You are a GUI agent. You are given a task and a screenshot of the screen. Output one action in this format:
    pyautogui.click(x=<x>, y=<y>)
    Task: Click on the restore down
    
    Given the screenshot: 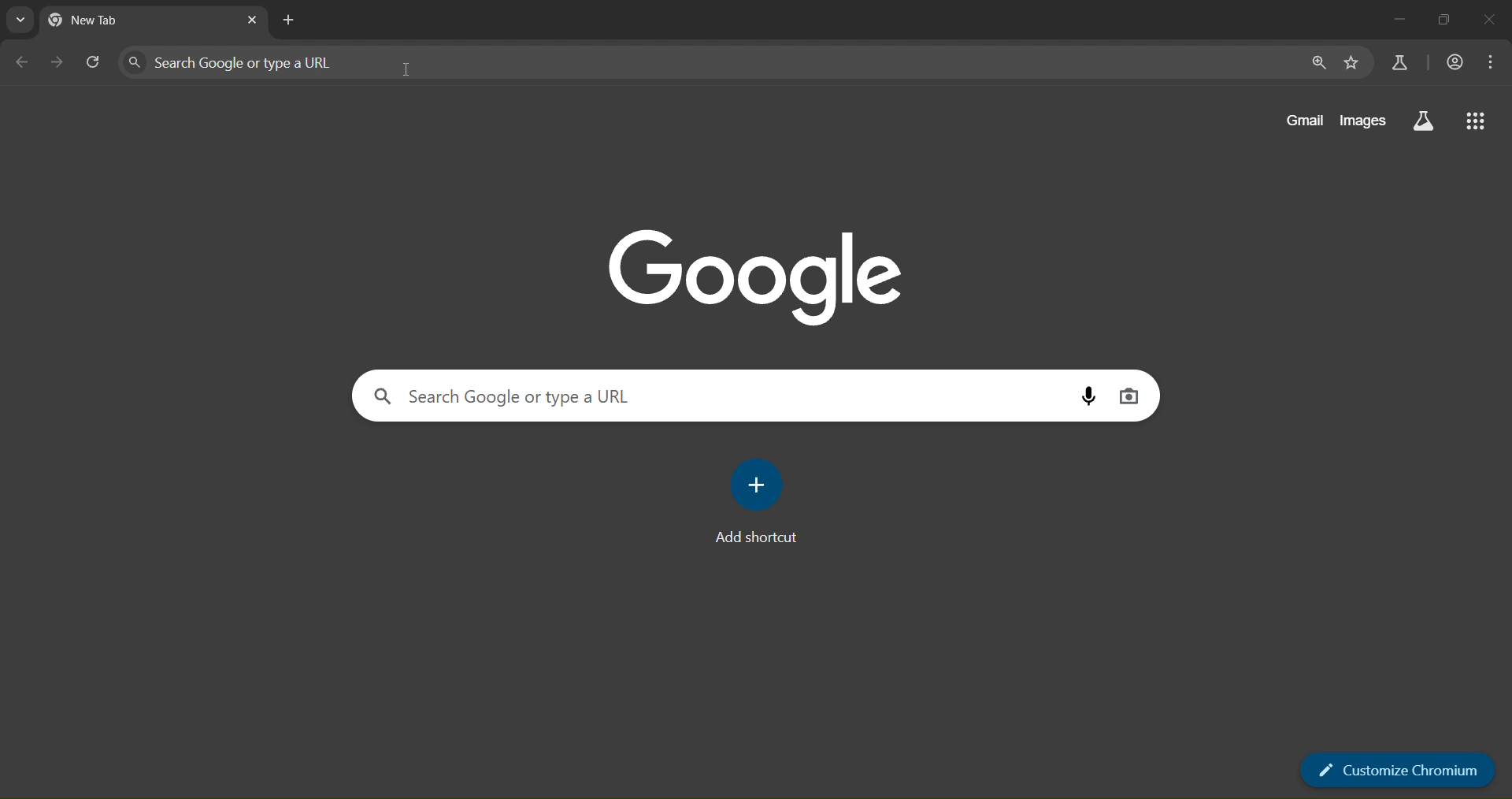 What is the action you would take?
    pyautogui.click(x=1440, y=20)
    